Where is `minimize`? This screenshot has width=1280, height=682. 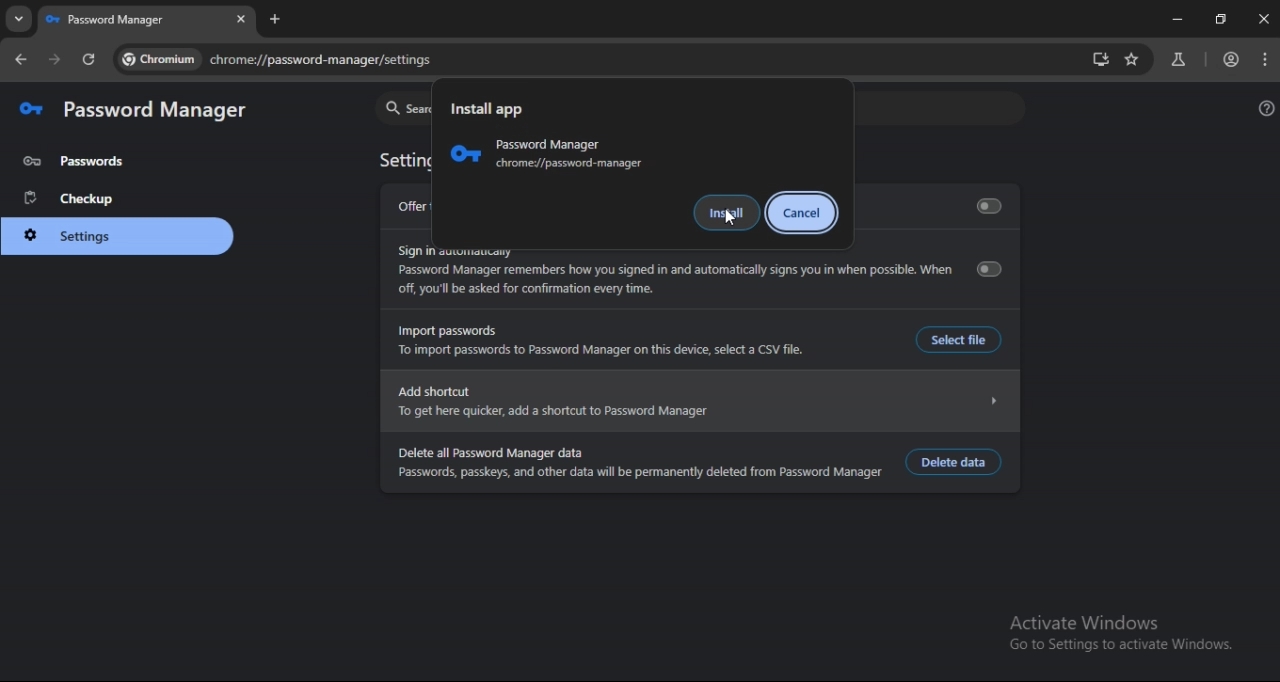 minimize is located at coordinates (1175, 19).